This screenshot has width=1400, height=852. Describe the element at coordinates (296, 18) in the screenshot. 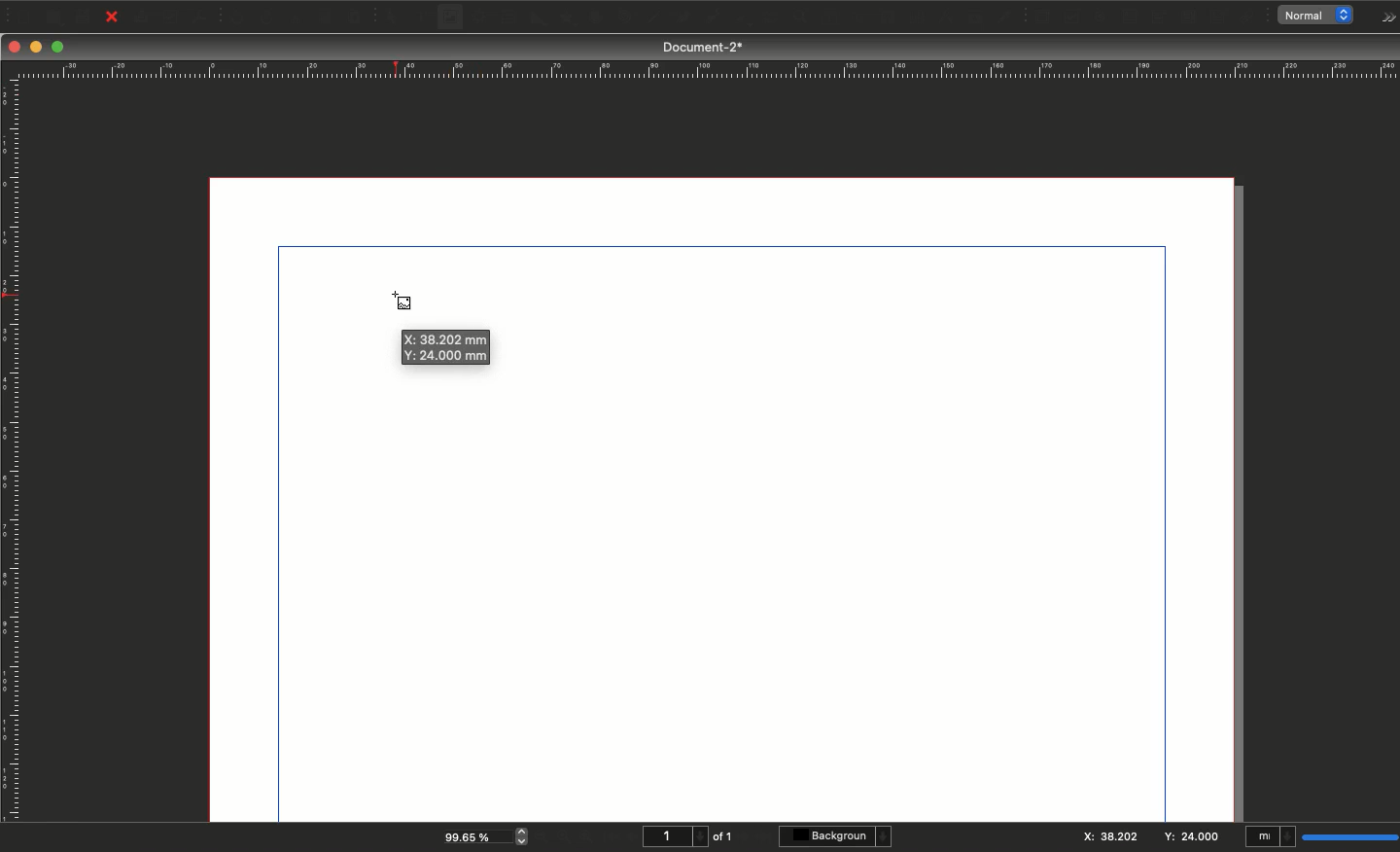

I see `Cut` at that location.